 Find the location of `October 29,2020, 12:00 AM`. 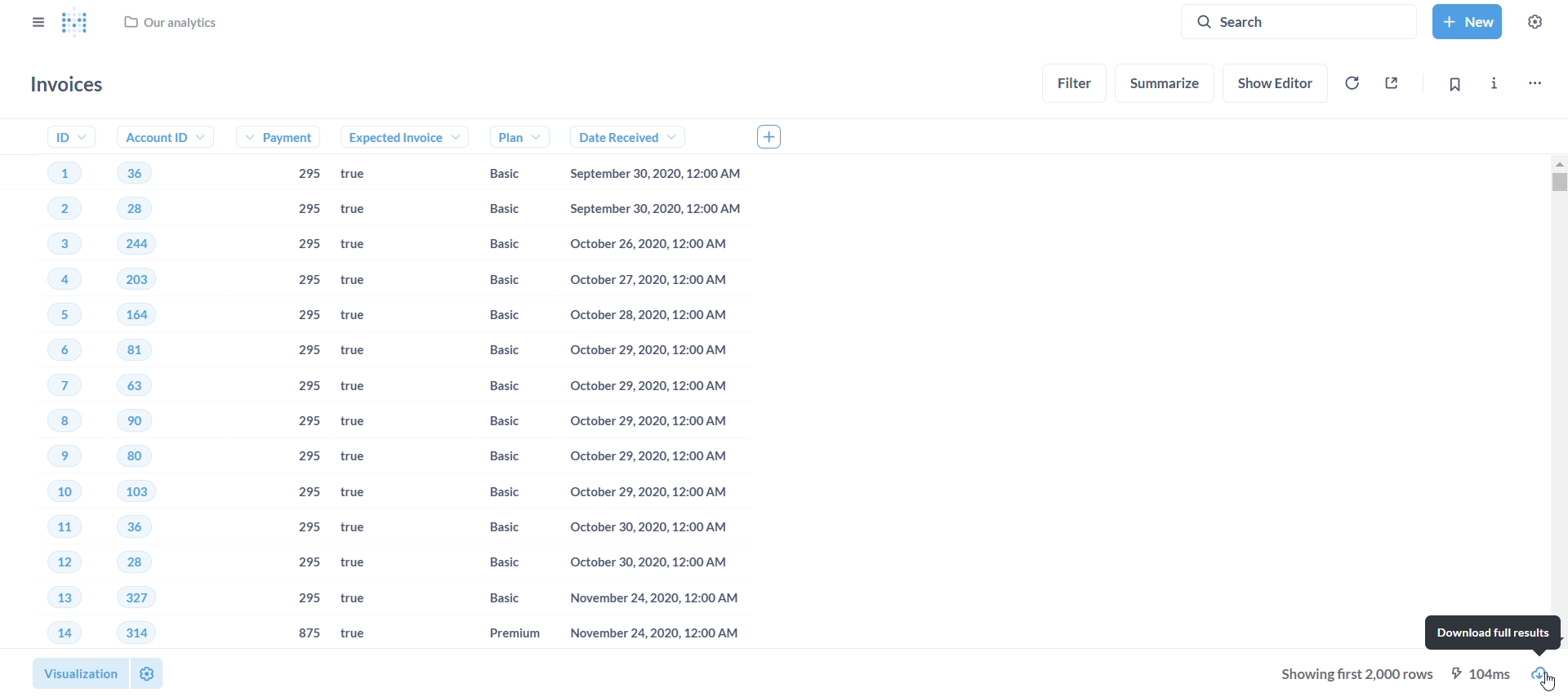

October 29,2020, 12:00 AM is located at coordinates (644, 491).